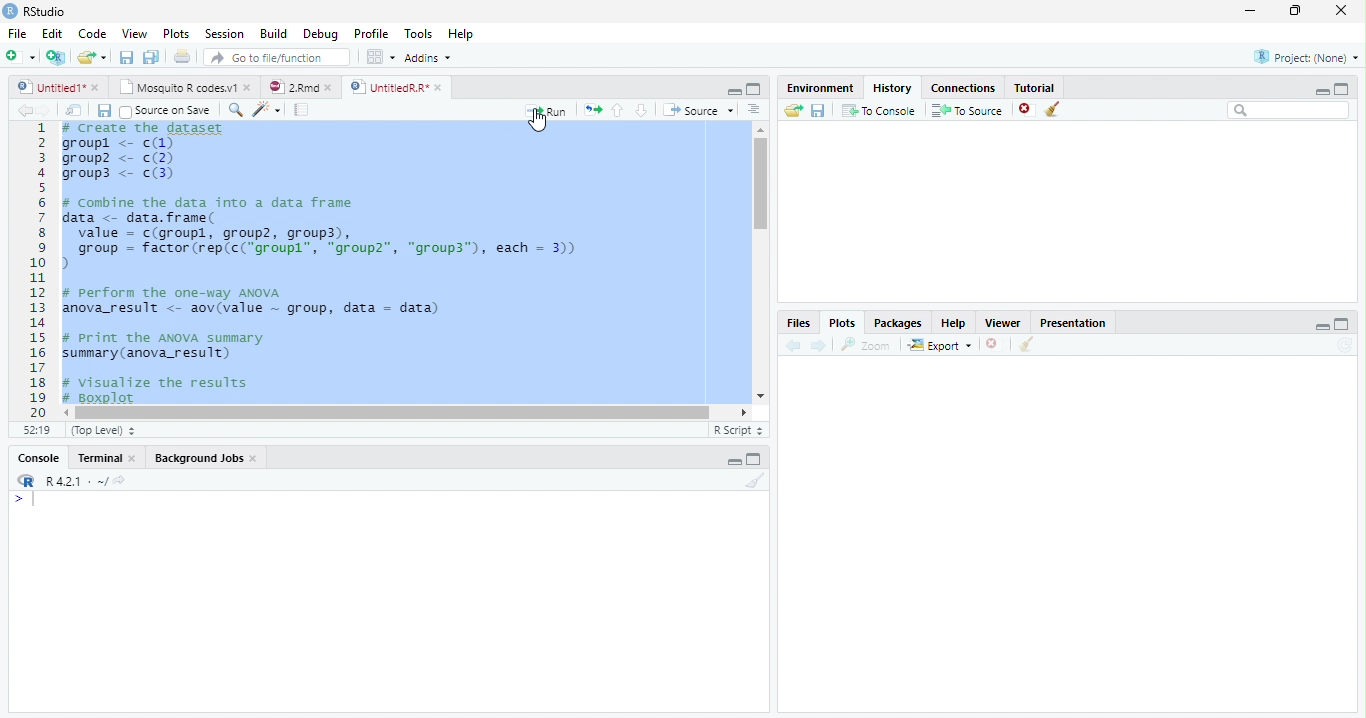  What do you see at coordinates (1319, 91) in the screenshot?
I see `Minimize` at bounding box center [1319, 91].